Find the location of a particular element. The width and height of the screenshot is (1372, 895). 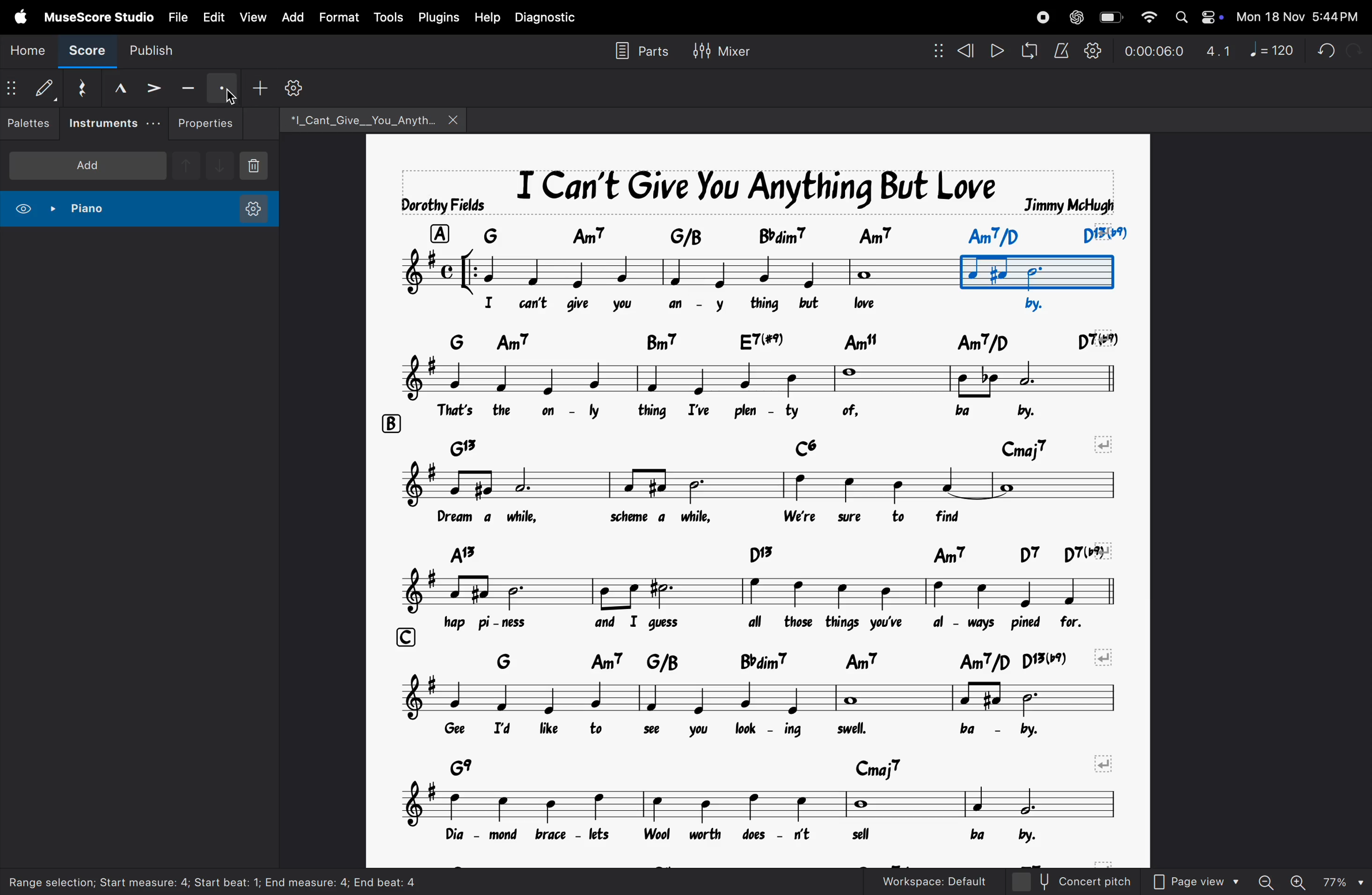

record is located at coordinates (1041, 17).